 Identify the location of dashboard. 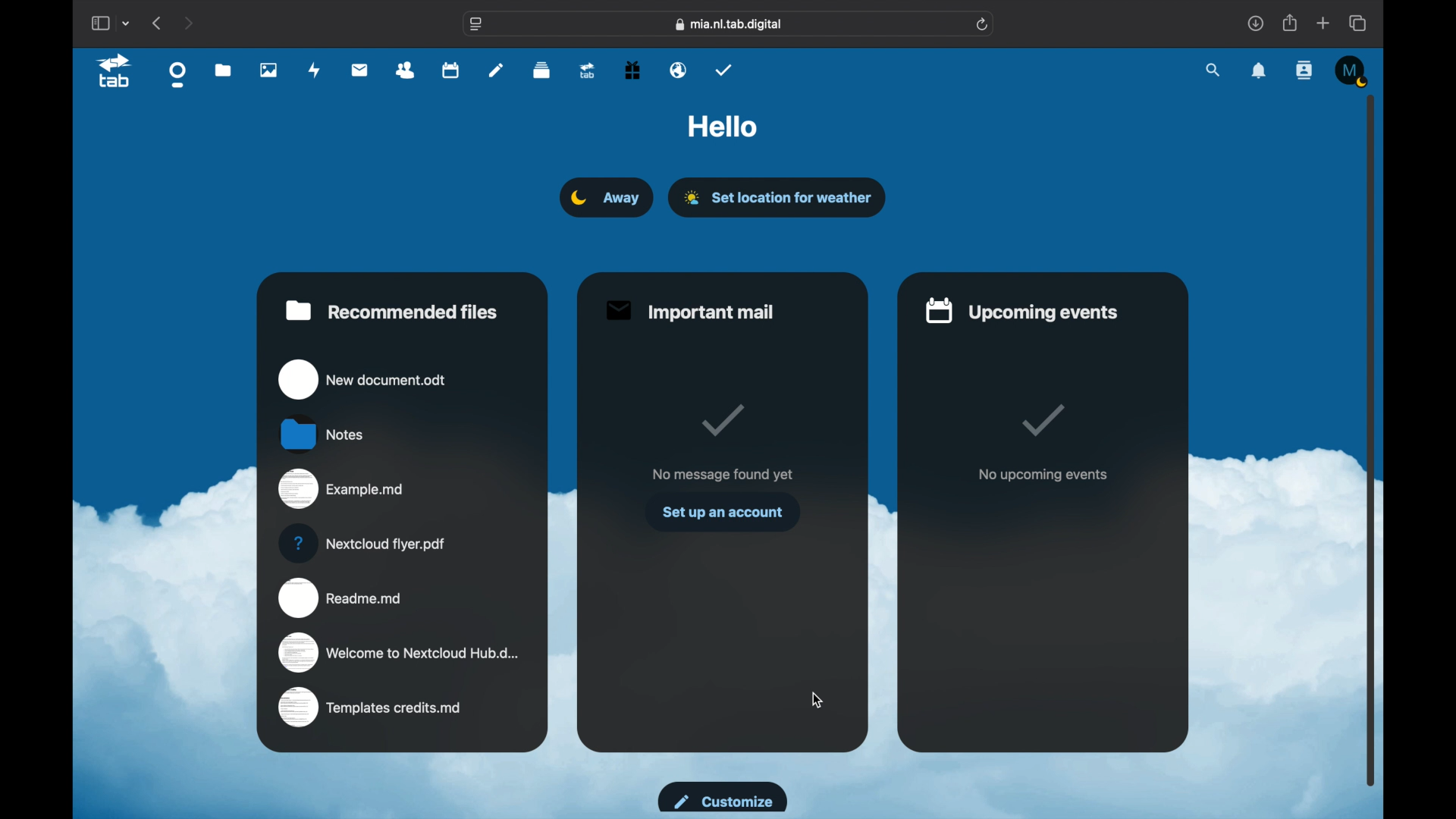
(178, 75).